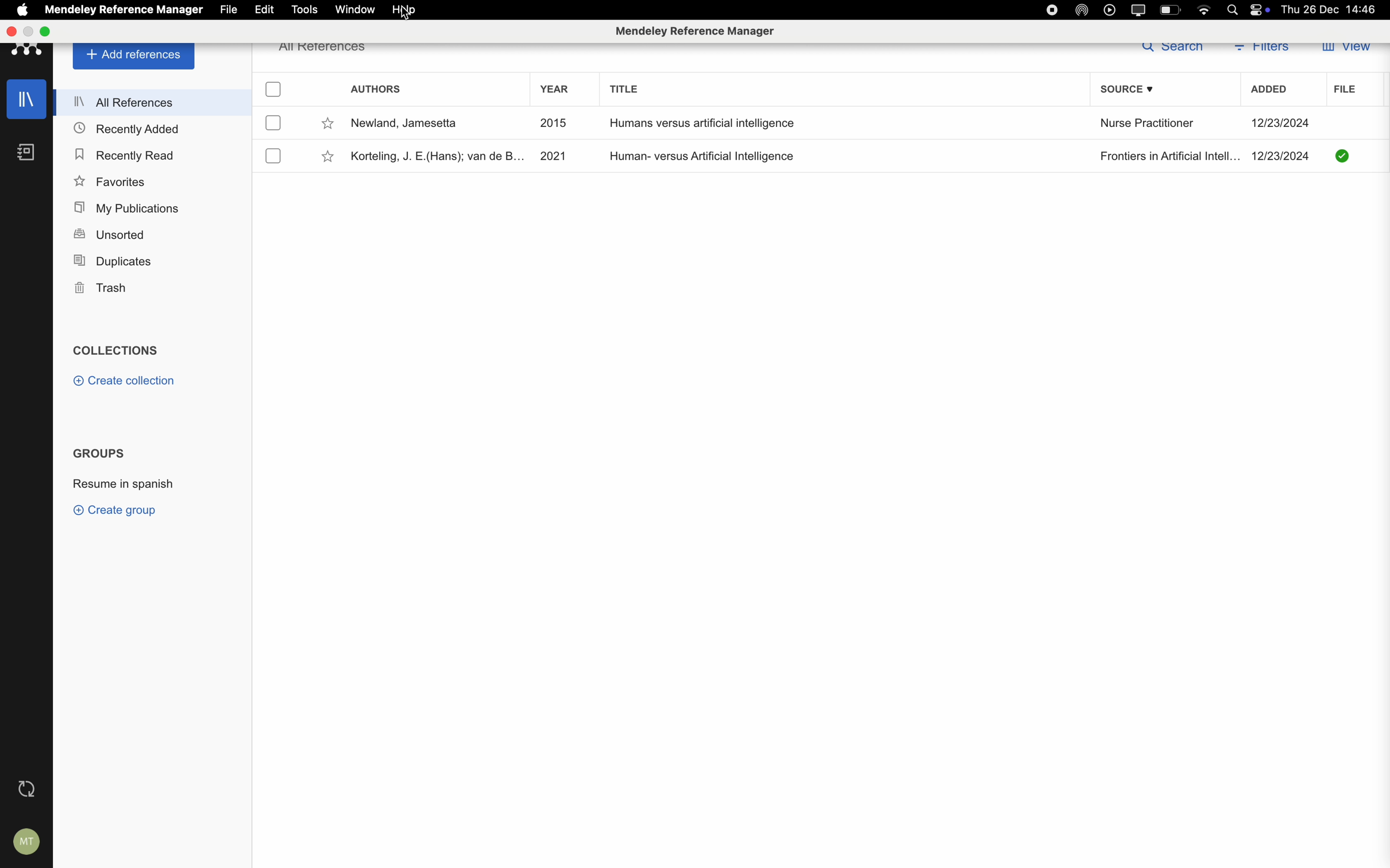 The height and width of the screenshot is (868, 1390). What do you see at coordinates (373, 88) in the screenshot?
I see `authors` at bounding box center [373, 88].